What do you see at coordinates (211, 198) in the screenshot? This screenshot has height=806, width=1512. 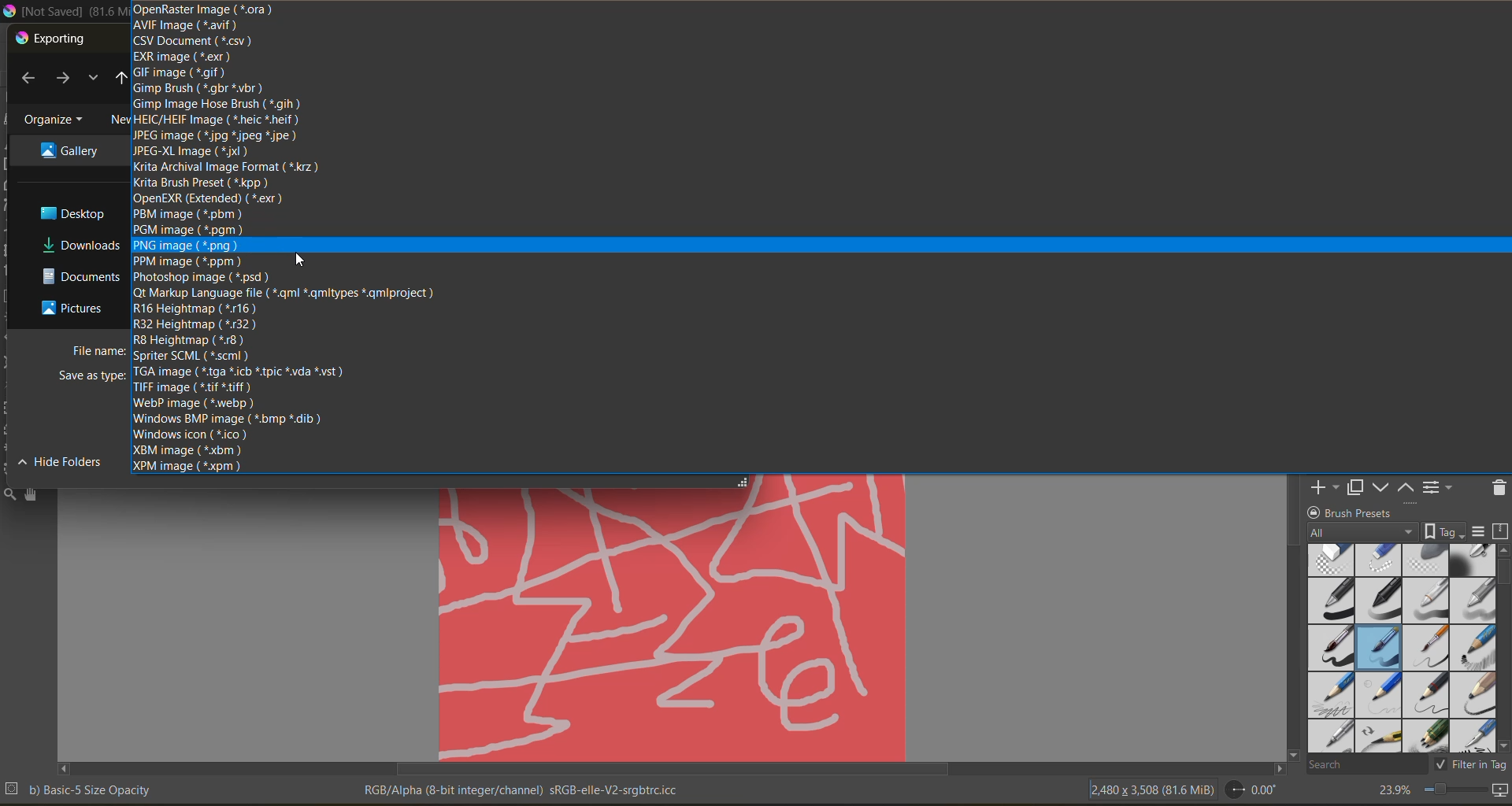 I see `openexr` at bounding box center [211, 198].